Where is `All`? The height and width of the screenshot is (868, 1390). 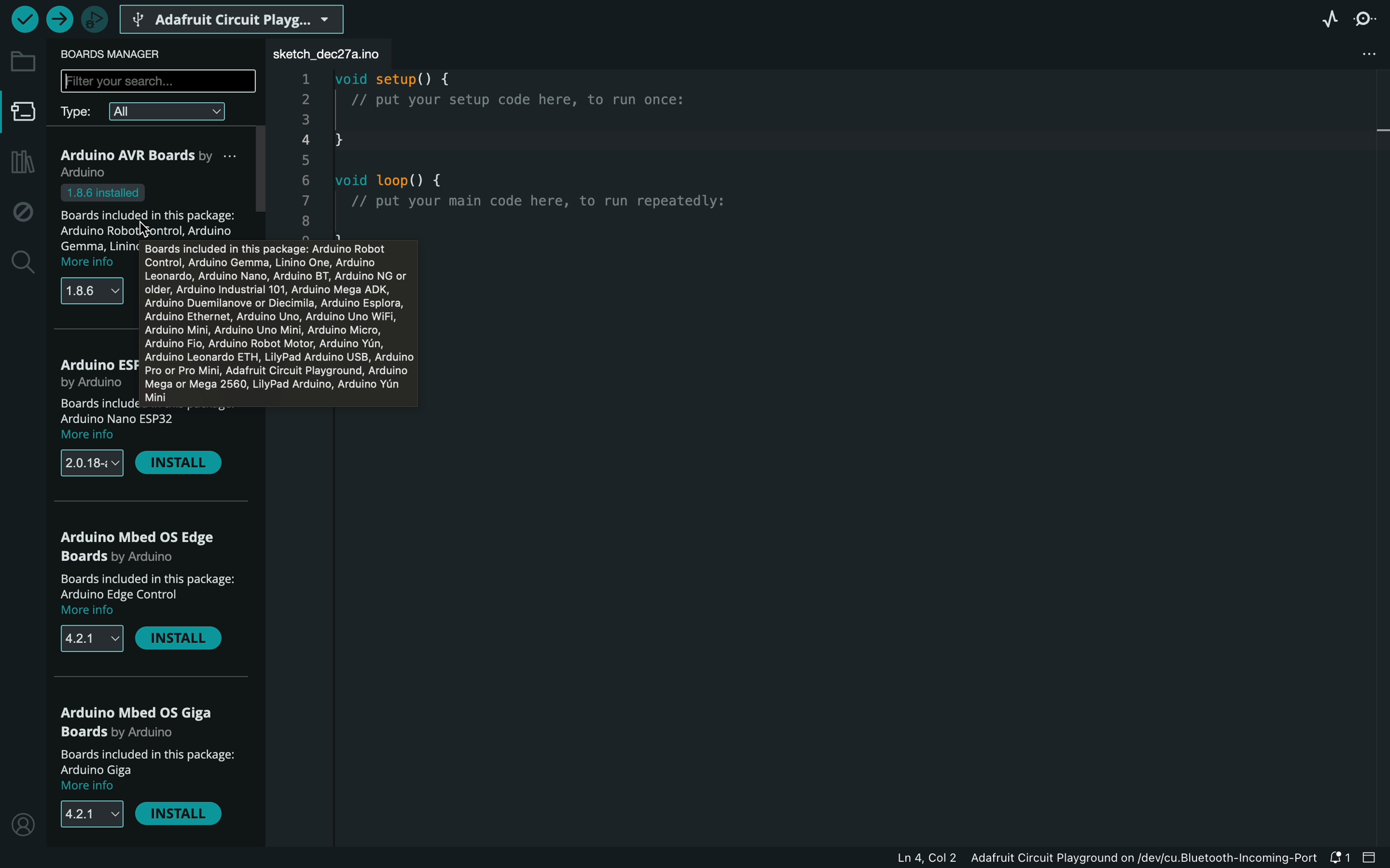
All is located at coordinates (170, 111).